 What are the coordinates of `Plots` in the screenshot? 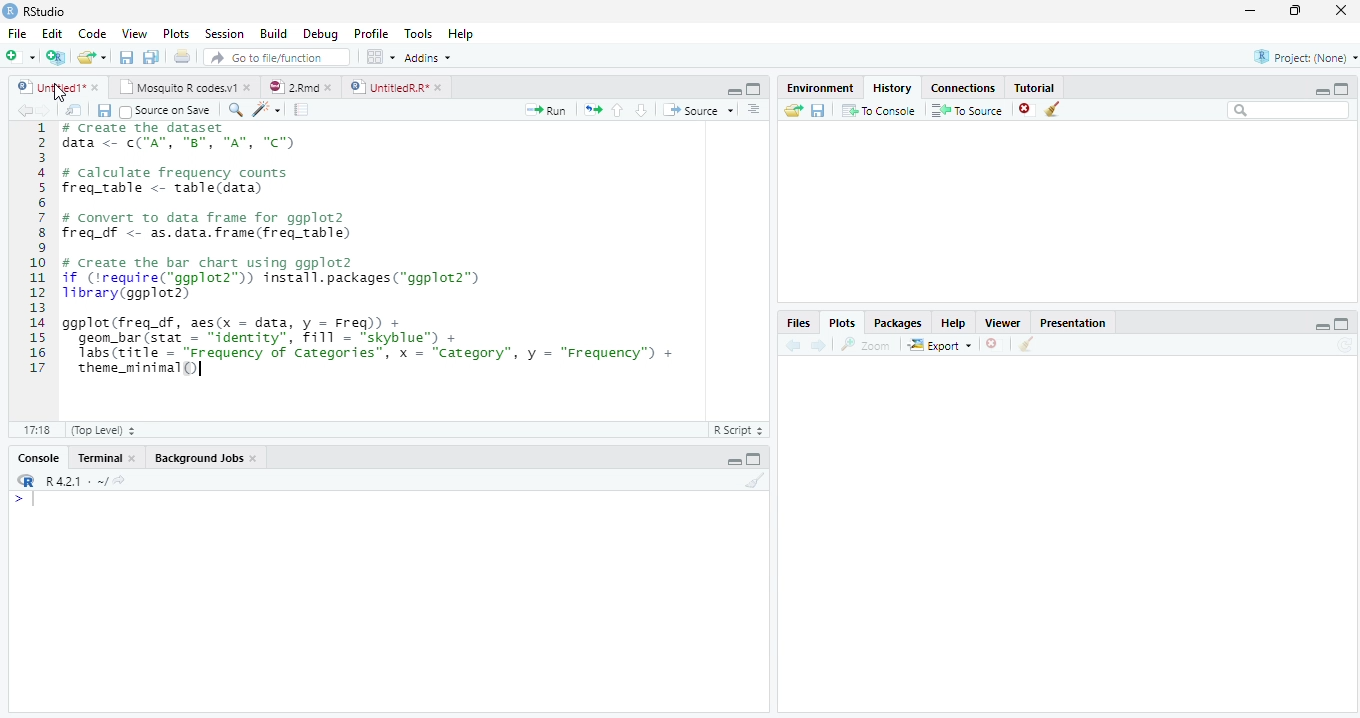 It's located at (177, 35).